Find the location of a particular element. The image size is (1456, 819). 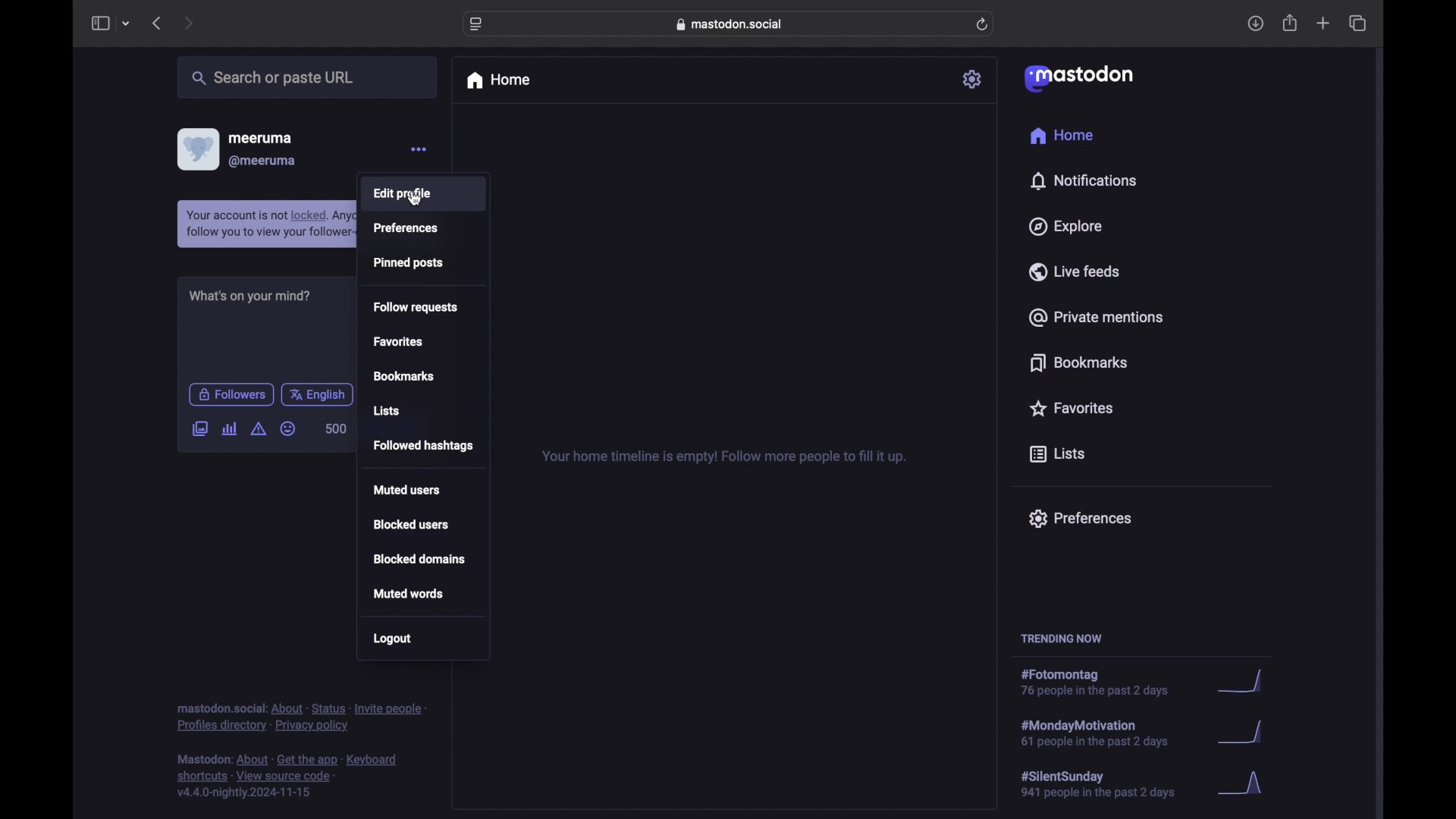

settings is located at coordinates (973, 79).